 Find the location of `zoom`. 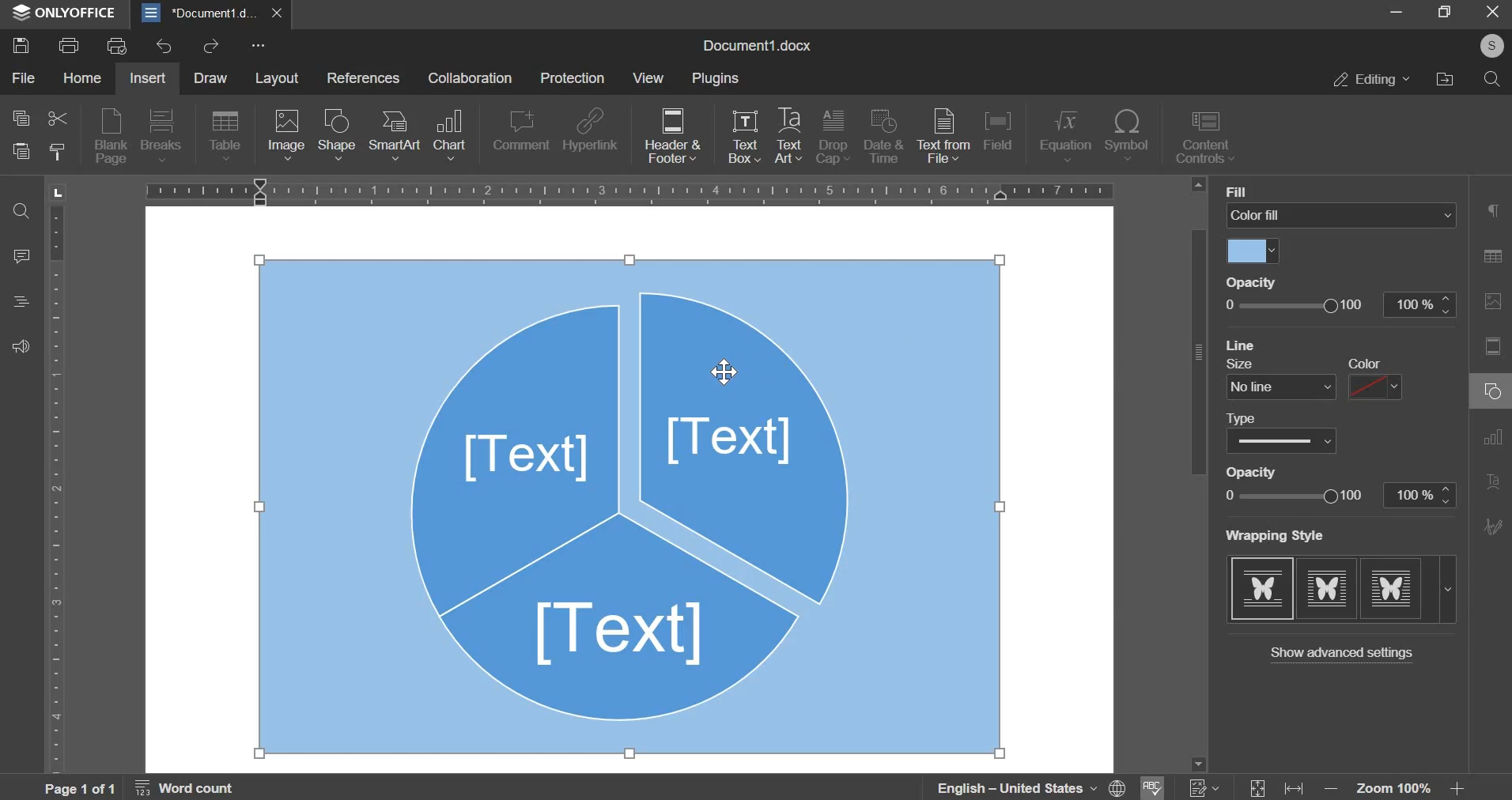

zoom is located at coordinates (1399, 787).